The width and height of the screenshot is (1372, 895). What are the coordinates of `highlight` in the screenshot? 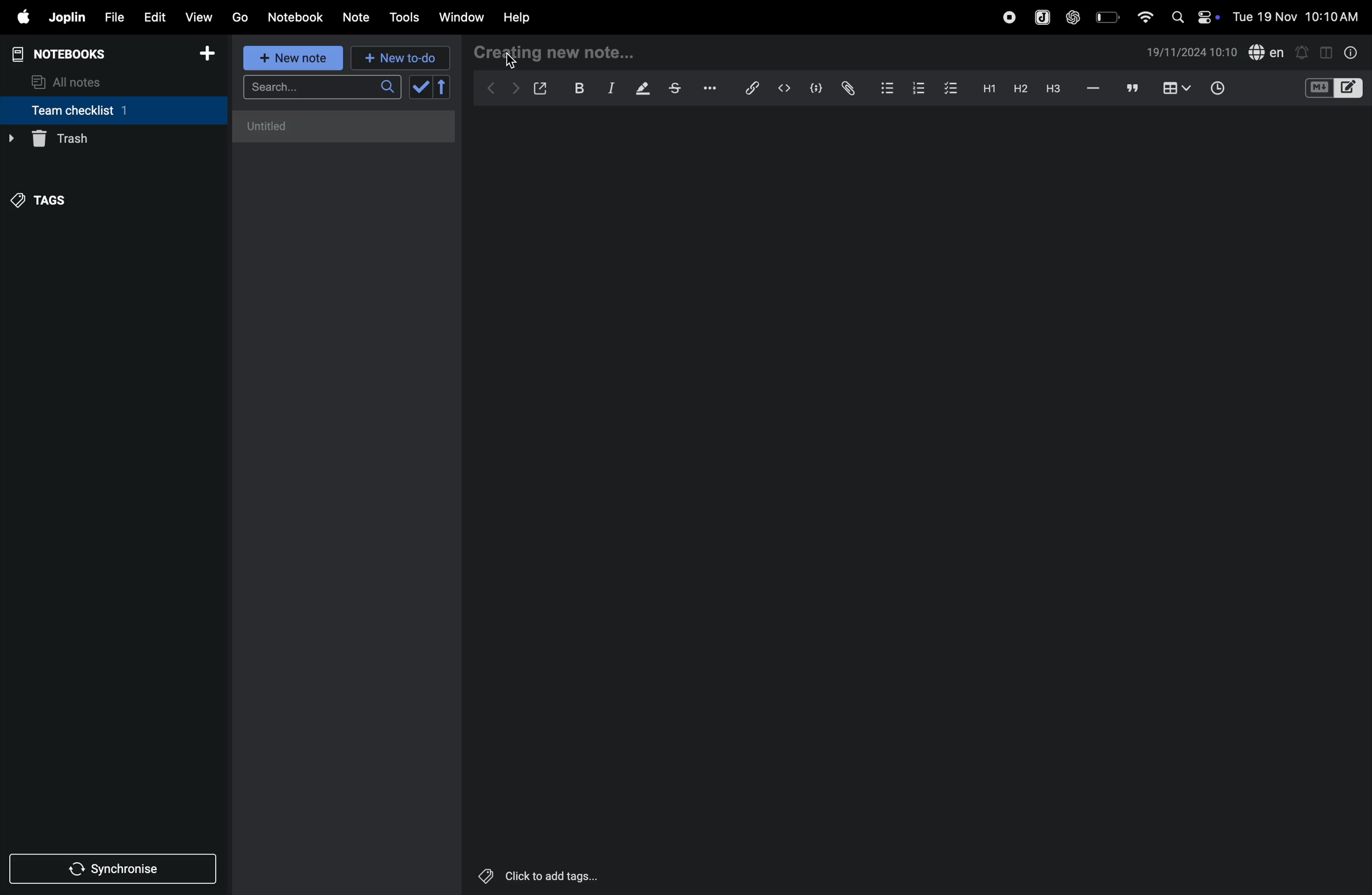 It's located at (641, 89).